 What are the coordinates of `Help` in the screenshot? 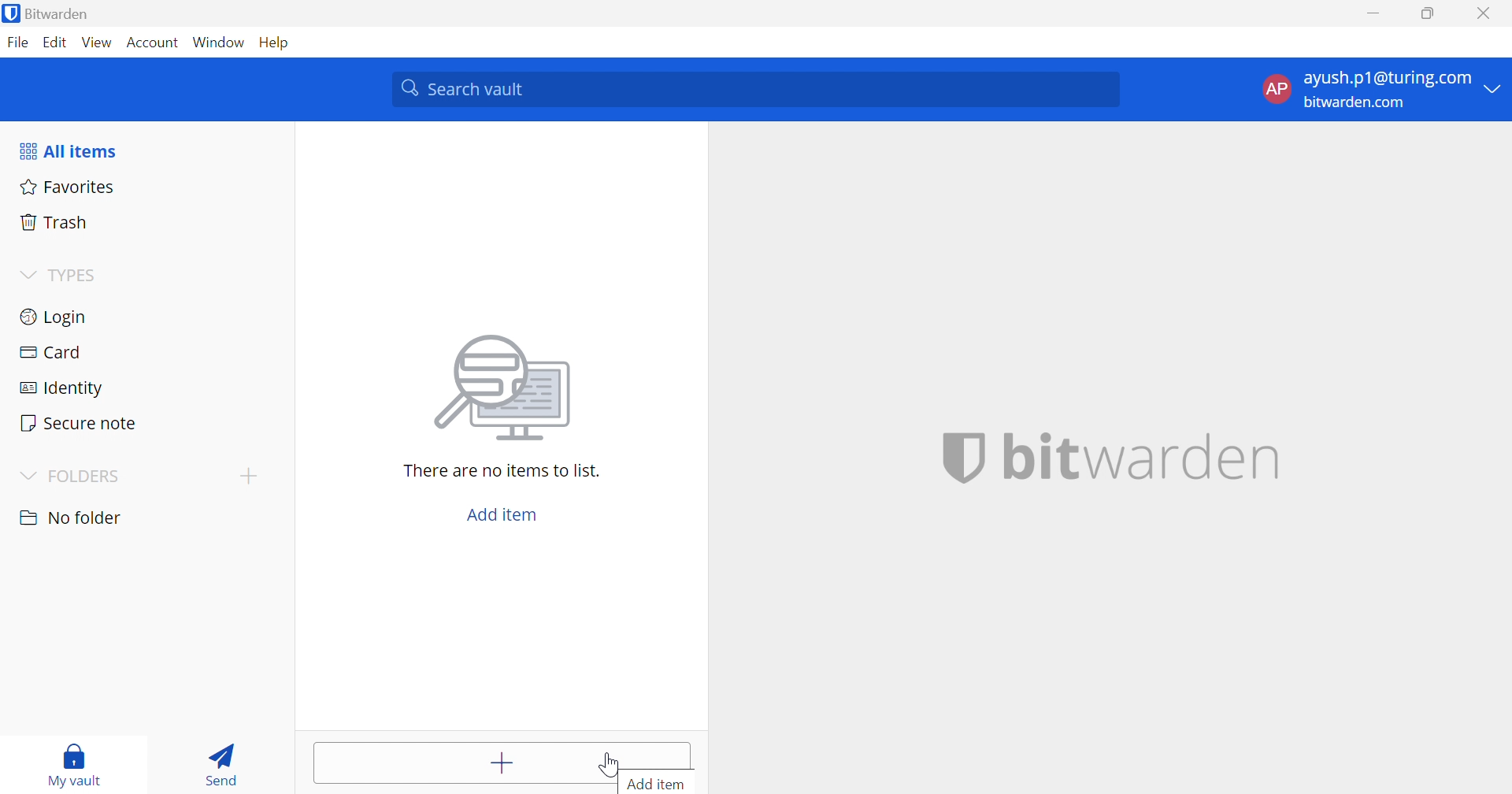 It's located at (273, 43).